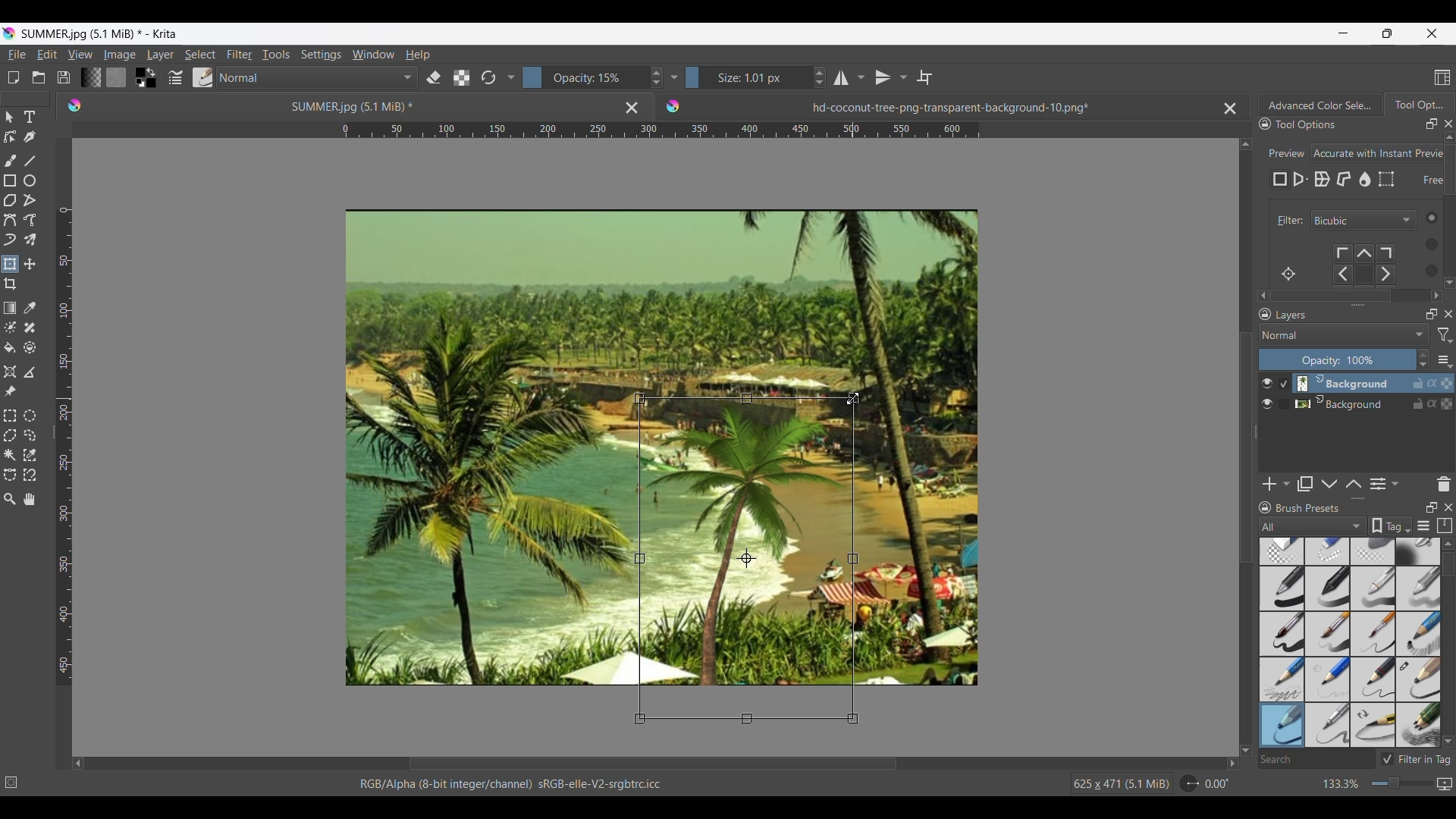 This screenshot has height=819, width=1456. Describe the element at coordinates (1287, 221) in the screenshot. I see `Filter` at that location.